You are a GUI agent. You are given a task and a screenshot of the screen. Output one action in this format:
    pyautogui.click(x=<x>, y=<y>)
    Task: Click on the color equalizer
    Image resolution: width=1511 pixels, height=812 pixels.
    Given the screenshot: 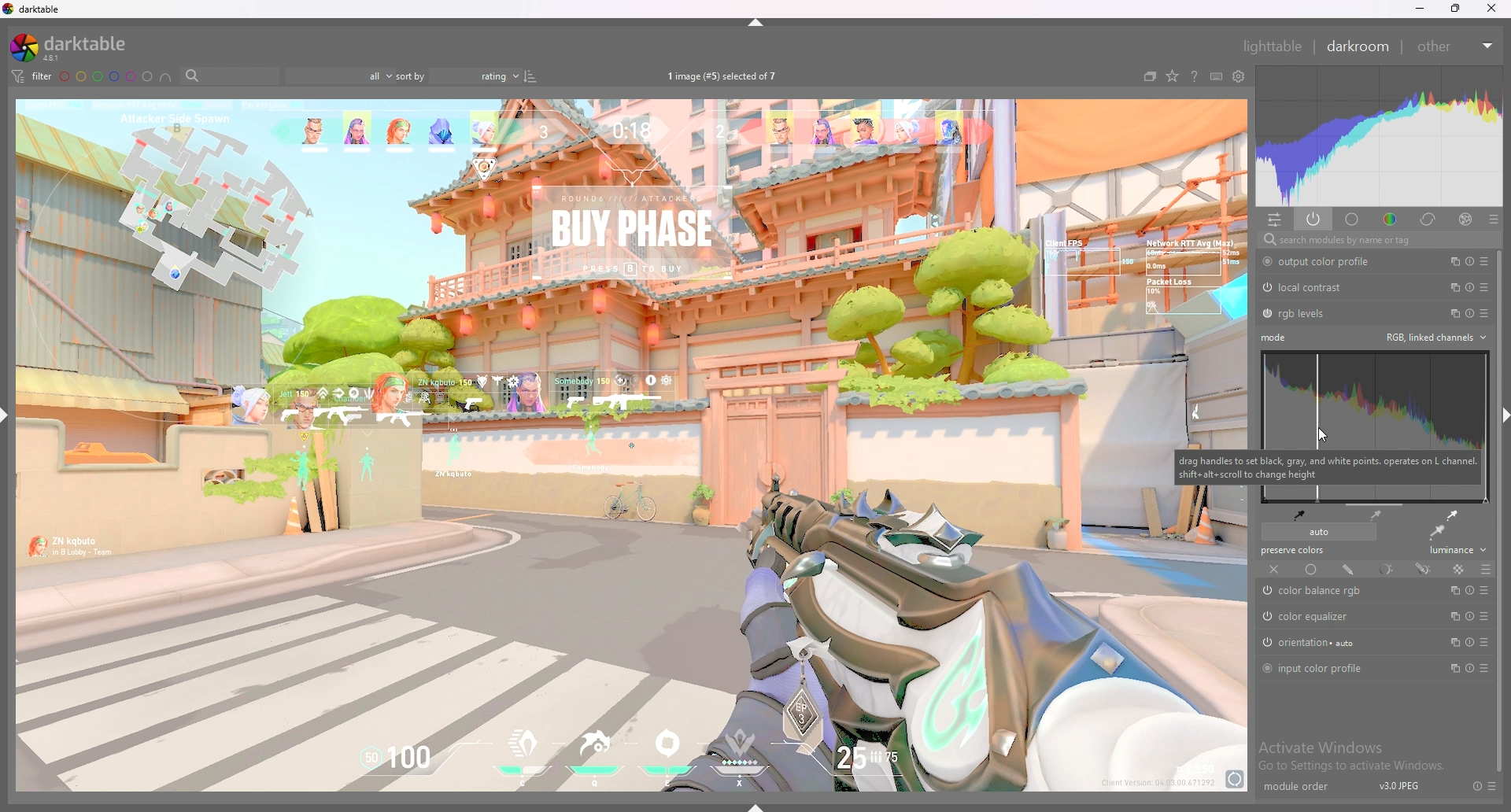 What is the action you would take?
    pyautogui.click(x=1315, y=618)
    